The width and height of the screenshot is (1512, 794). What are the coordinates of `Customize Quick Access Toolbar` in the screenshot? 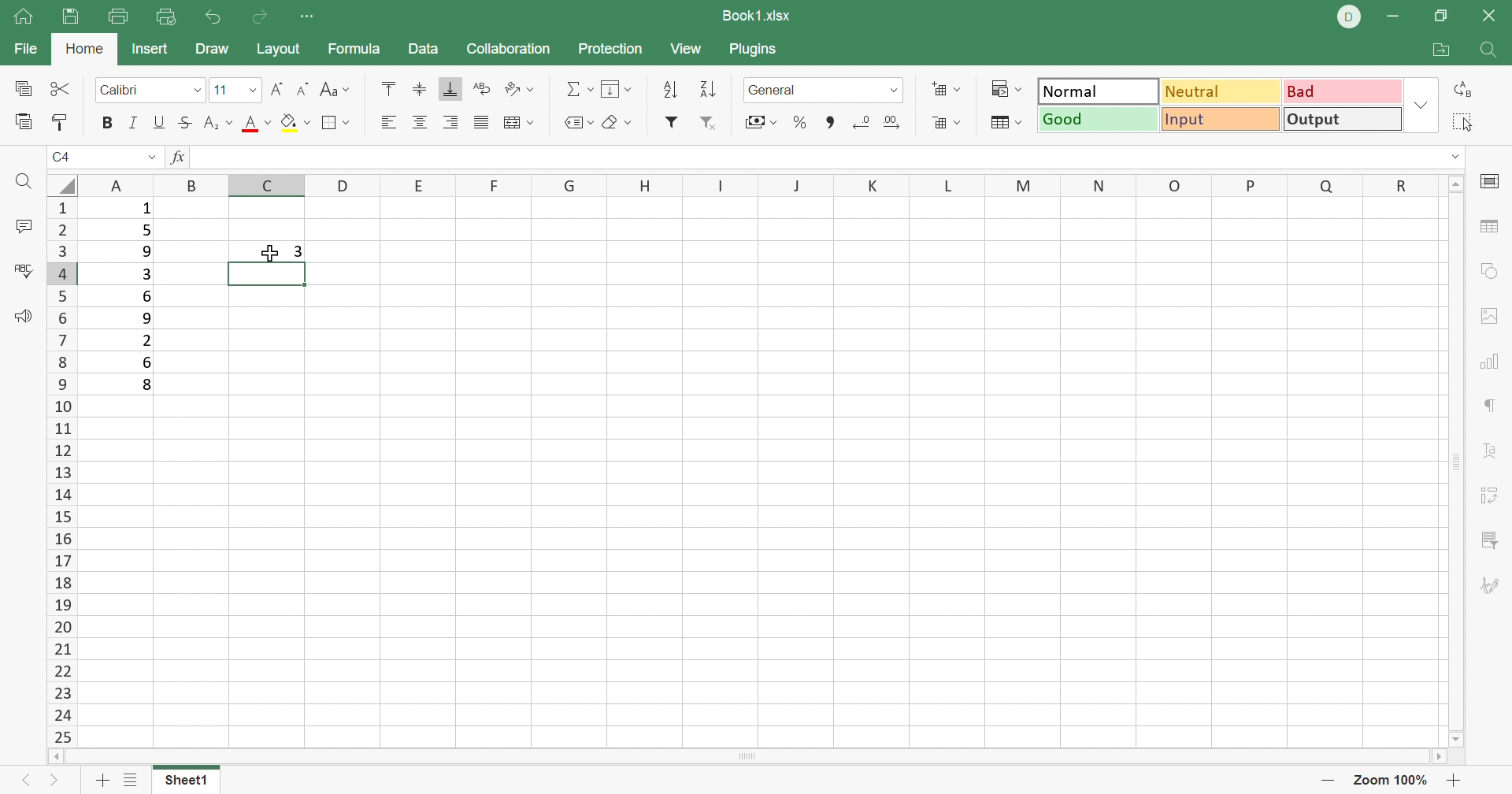 It's located at (311, 18).